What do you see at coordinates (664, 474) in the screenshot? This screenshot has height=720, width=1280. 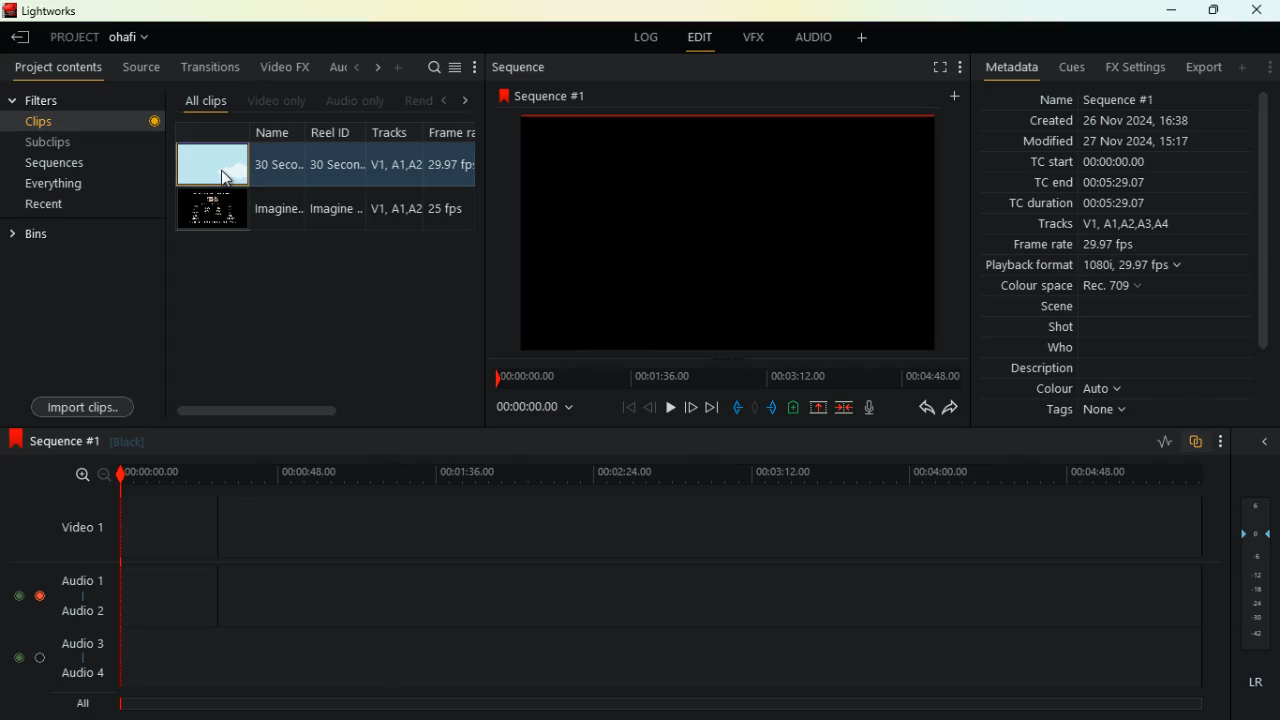 I see `time` at bounding box center [664, 474].